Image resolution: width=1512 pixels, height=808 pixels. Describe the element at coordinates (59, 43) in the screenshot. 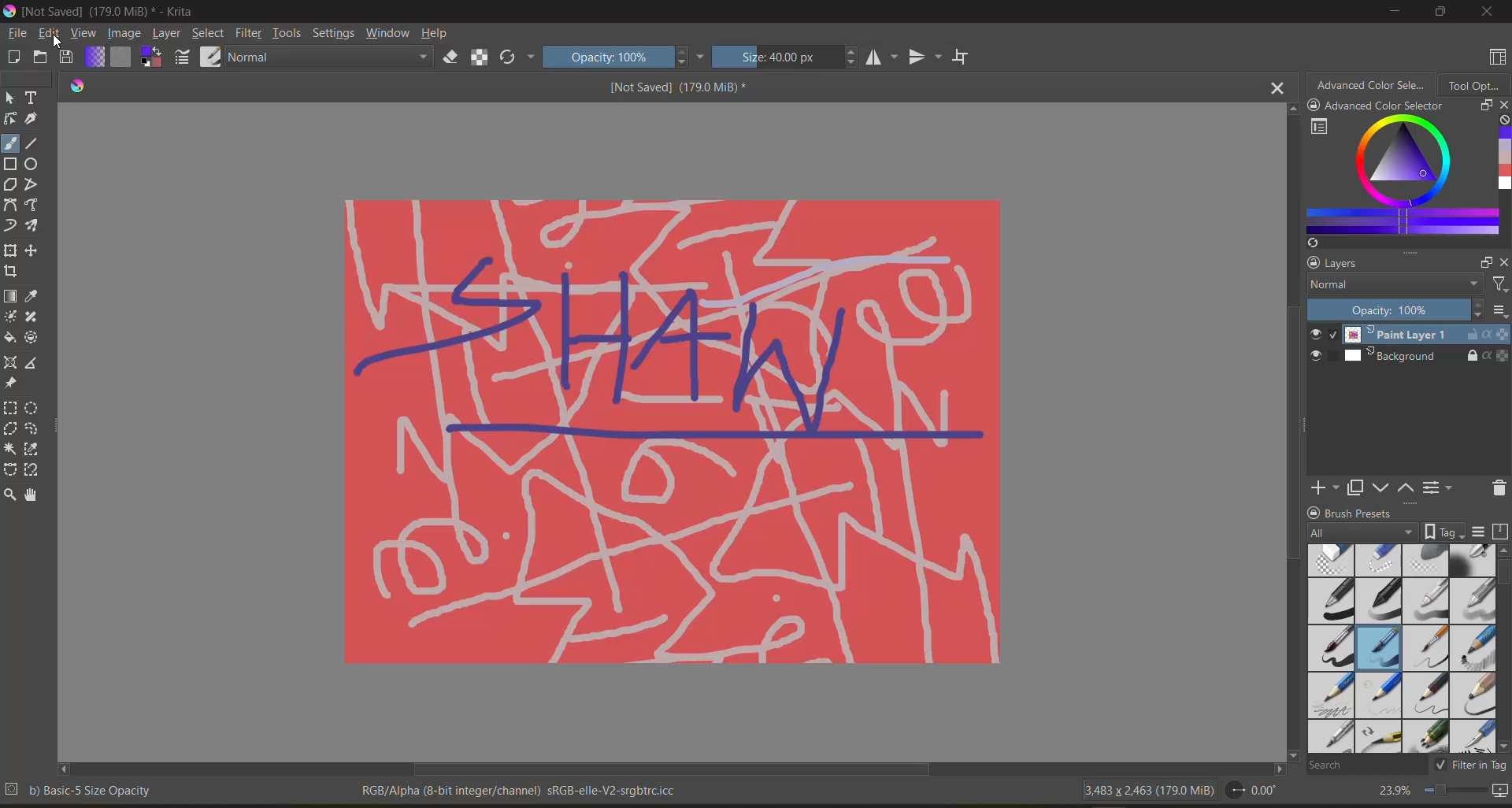

I see `cursor` at that location.